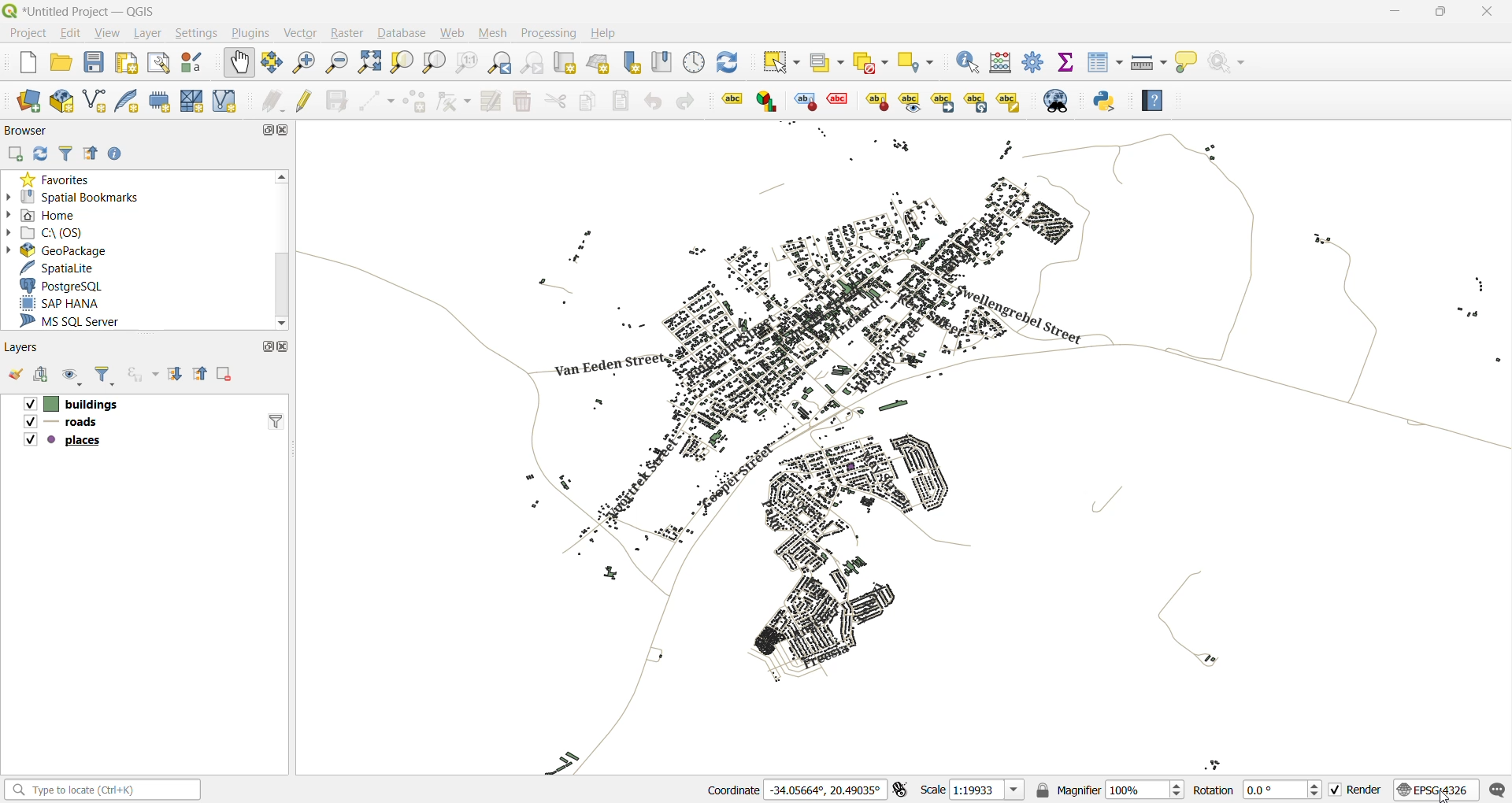 This screenshot has height=803, width=1512. Describe the element at coordinates (238, 65) in the screenshot. I see `pan map` at that location.